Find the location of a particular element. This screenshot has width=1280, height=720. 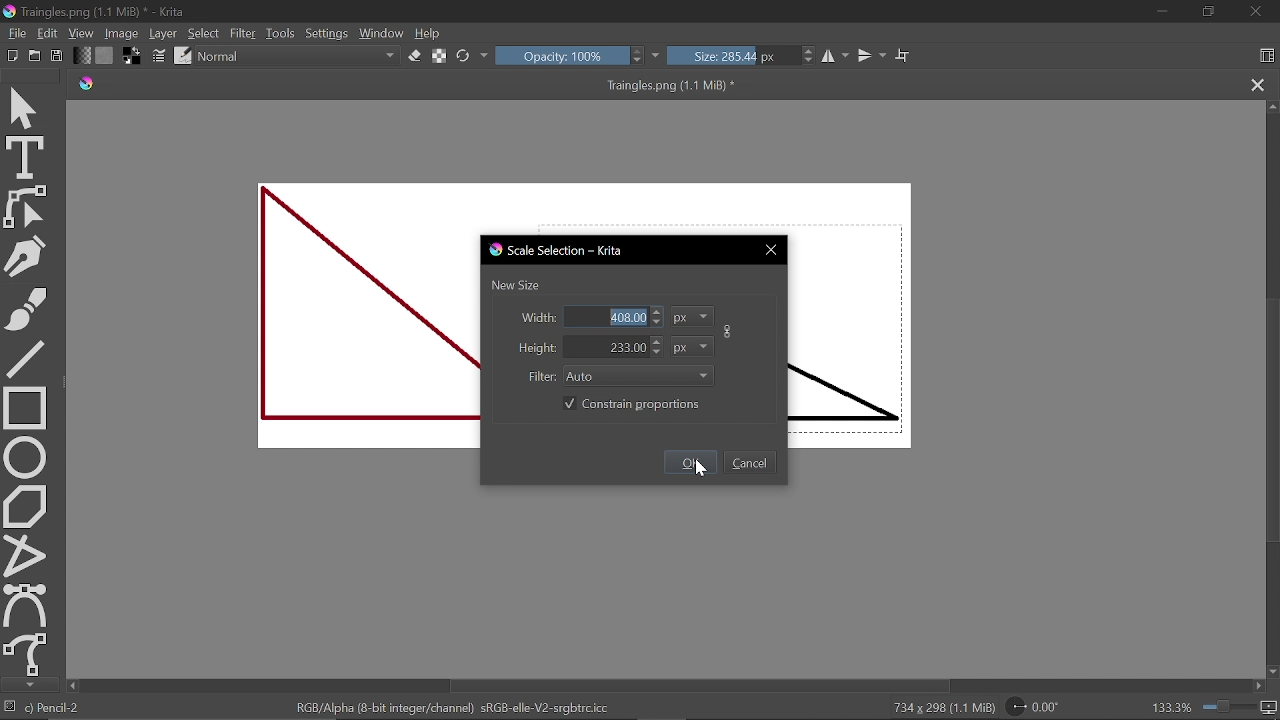

Settings is located at coordinates (327, 33).